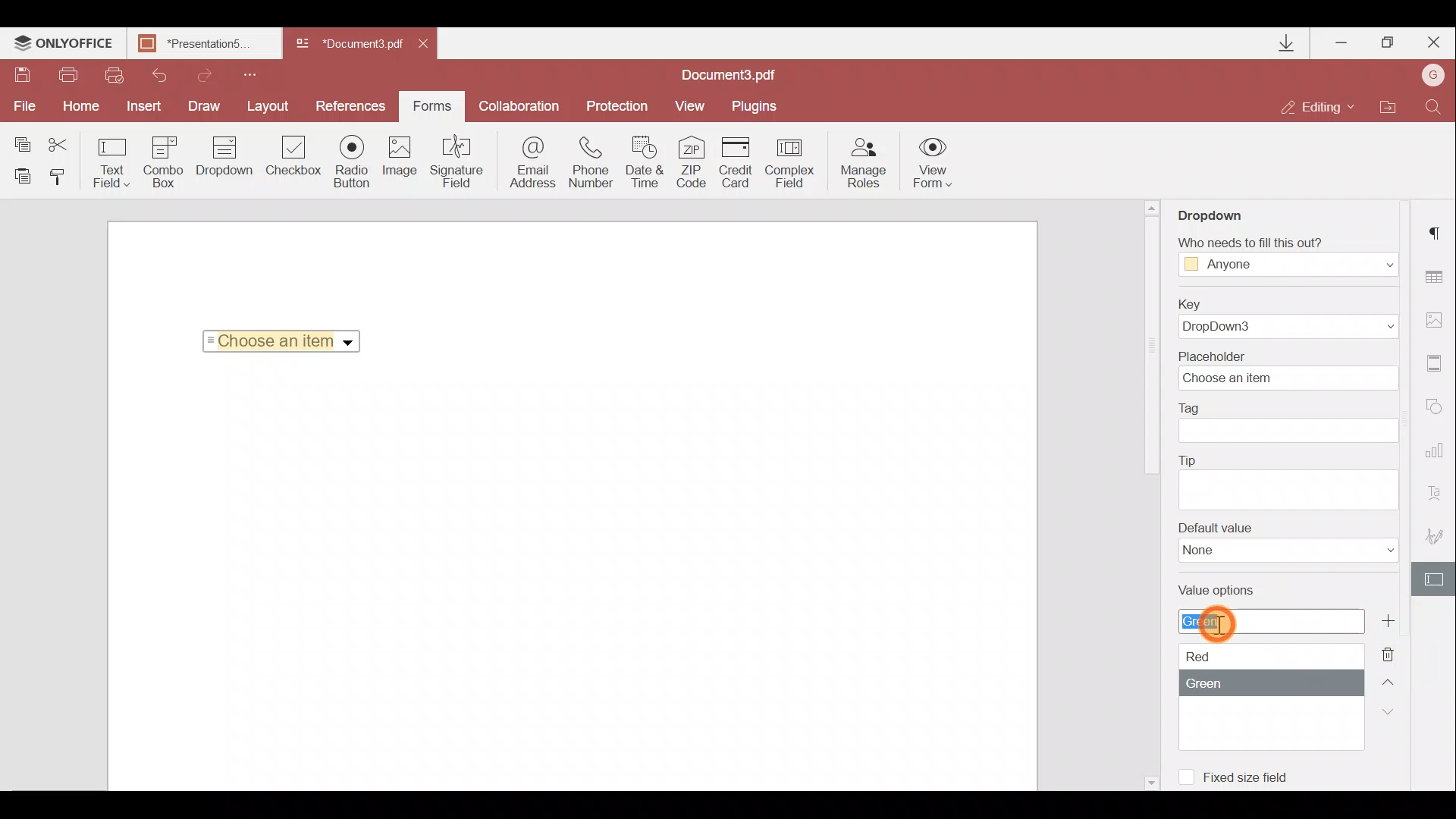 The image size is (1456, 819). Describe the element at coordinates (1439, 231) in the screenshot. I see `Paragraph settings` at that location.